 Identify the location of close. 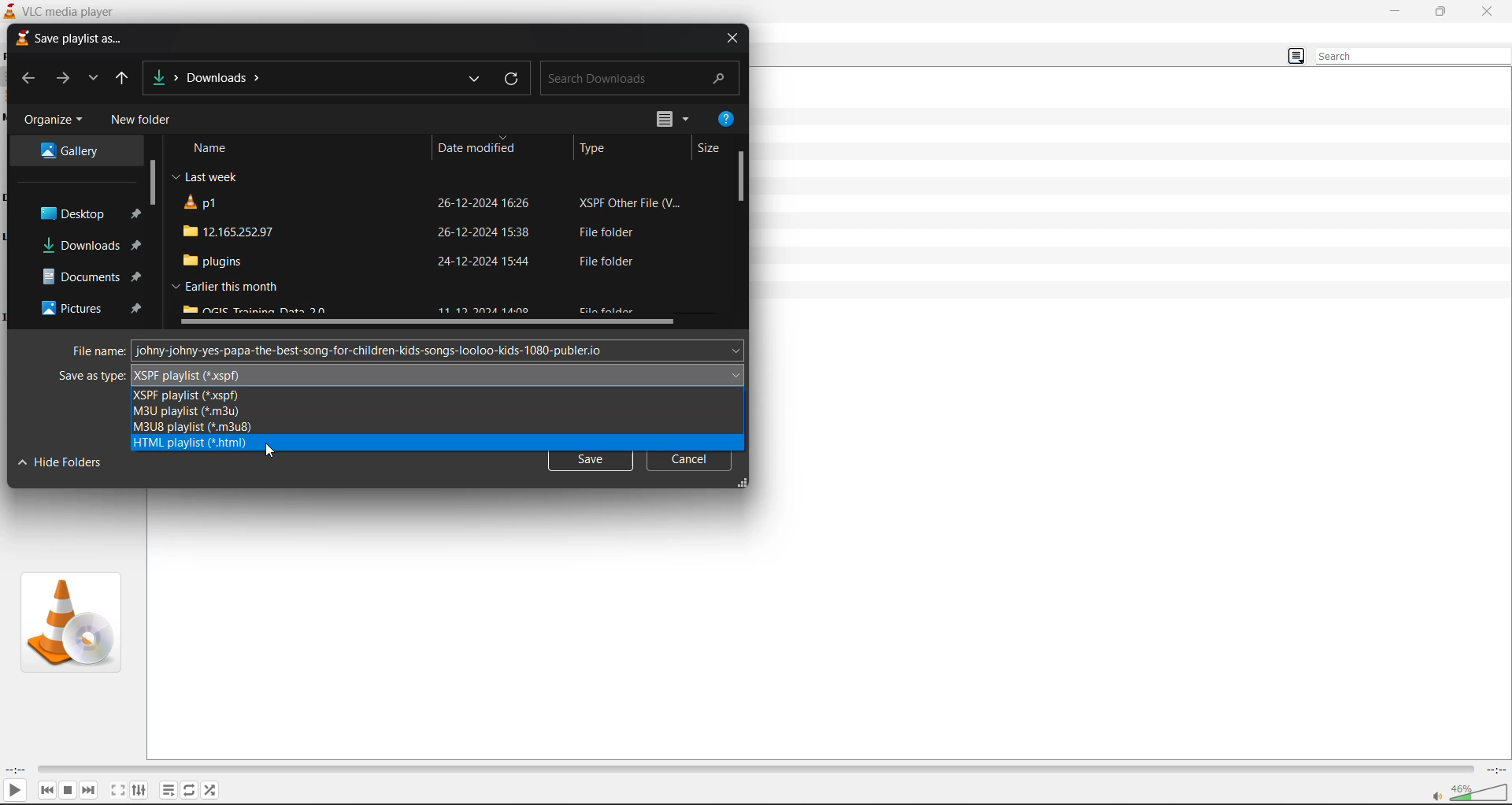
(1490, 11).